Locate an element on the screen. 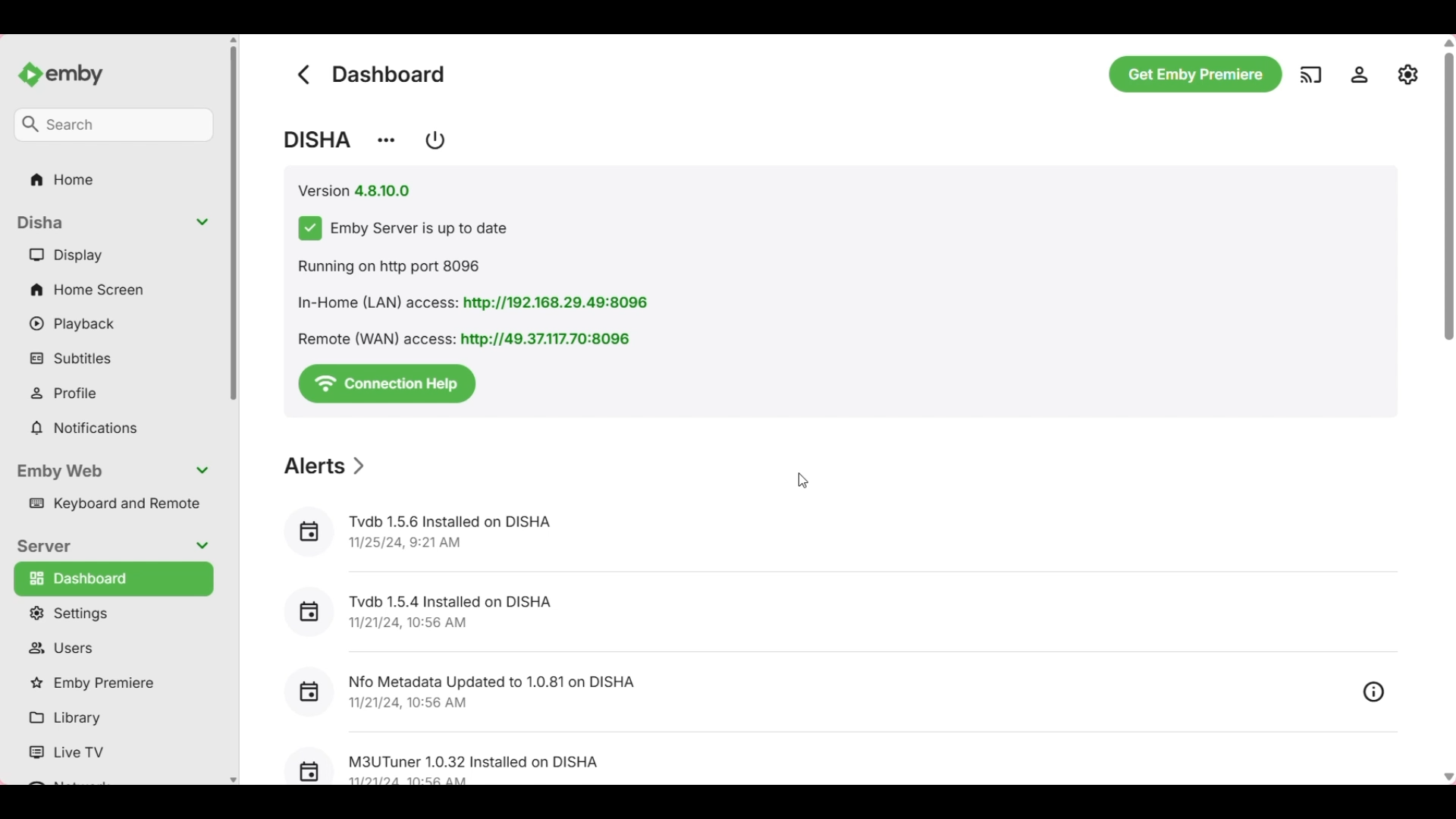  Go back is located at coordinates (303, 74).